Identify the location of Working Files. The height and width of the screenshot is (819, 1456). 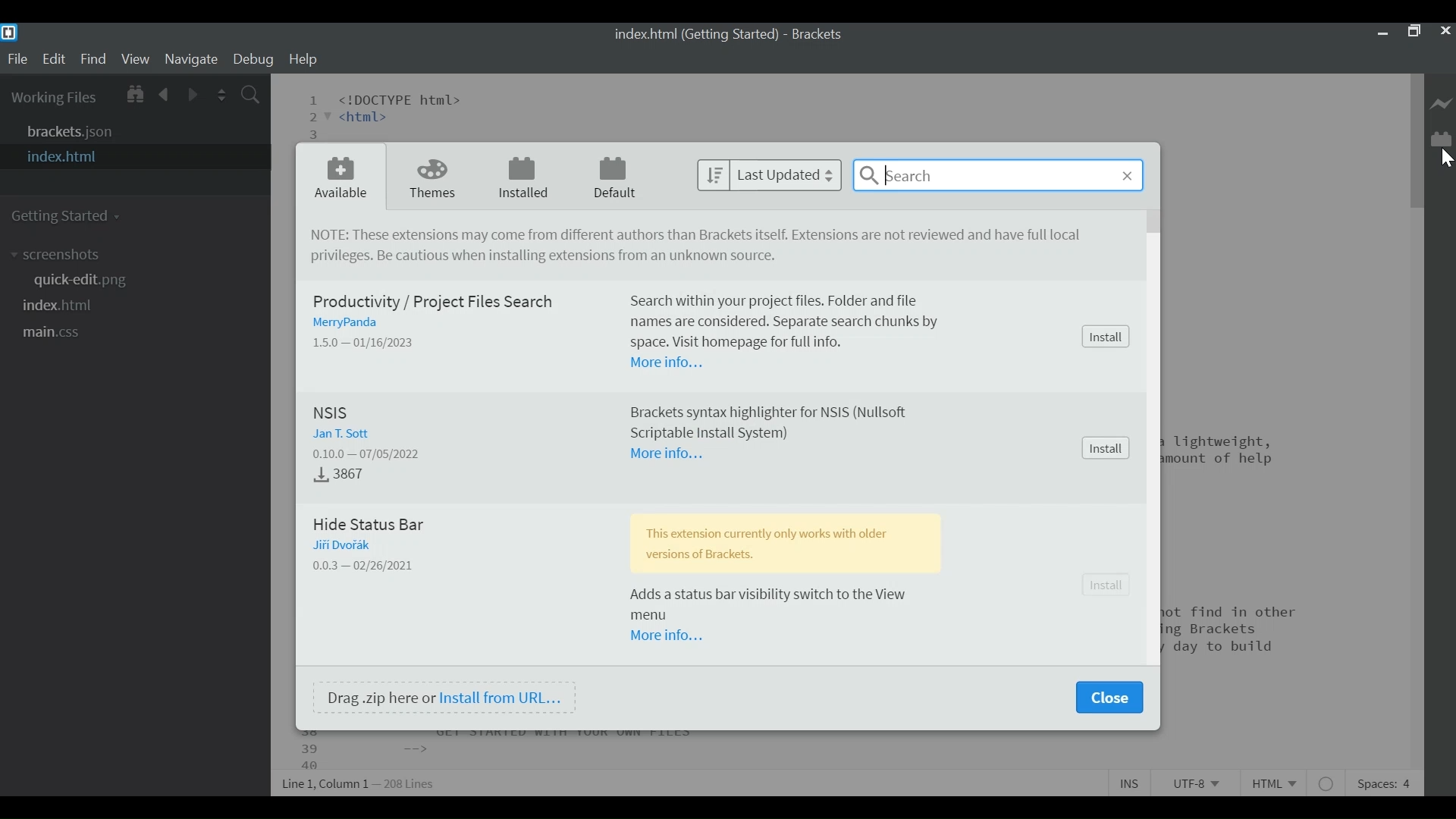
(54, 96).